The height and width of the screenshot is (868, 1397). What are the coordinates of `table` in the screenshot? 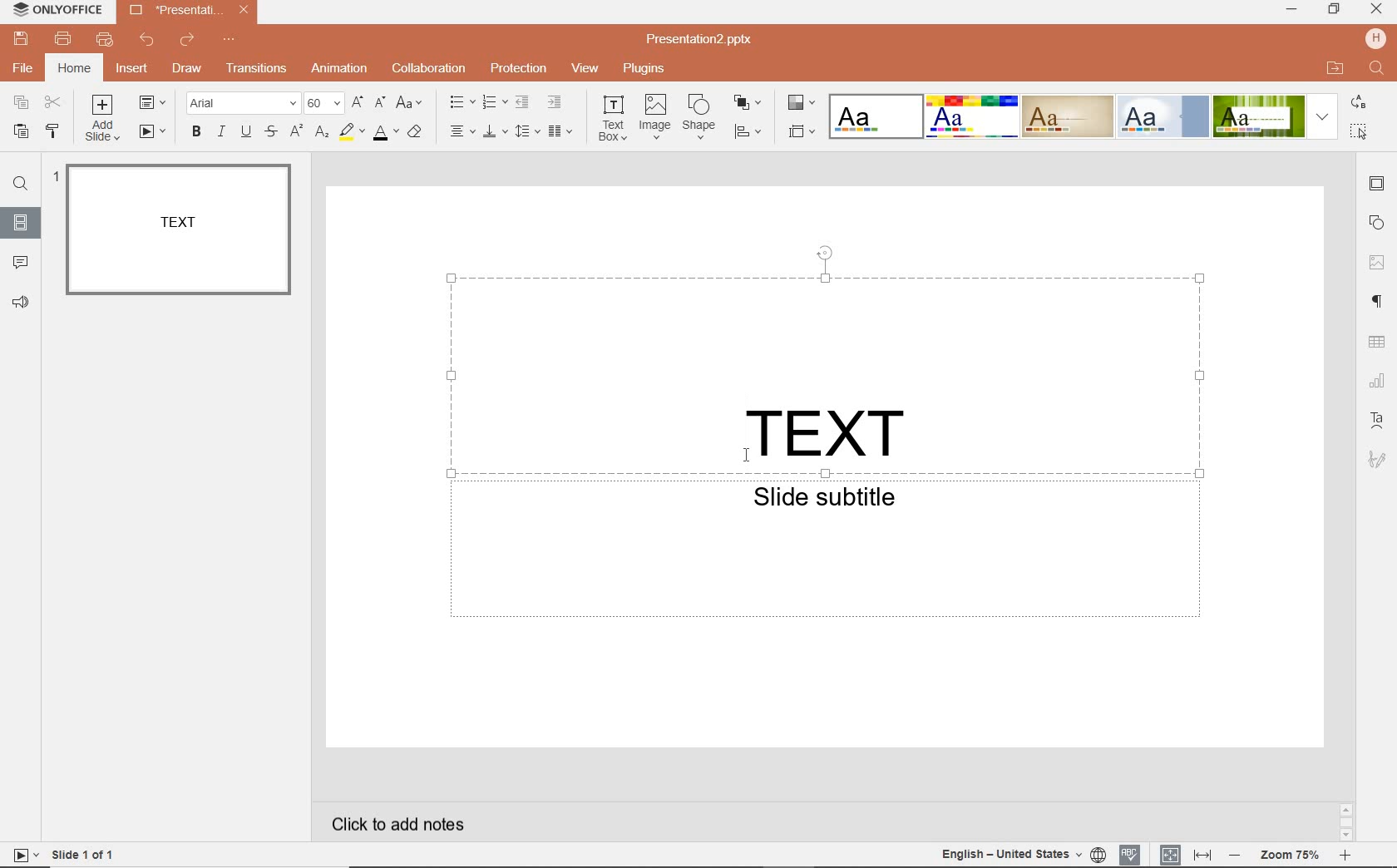 It's located at (1378, 343).